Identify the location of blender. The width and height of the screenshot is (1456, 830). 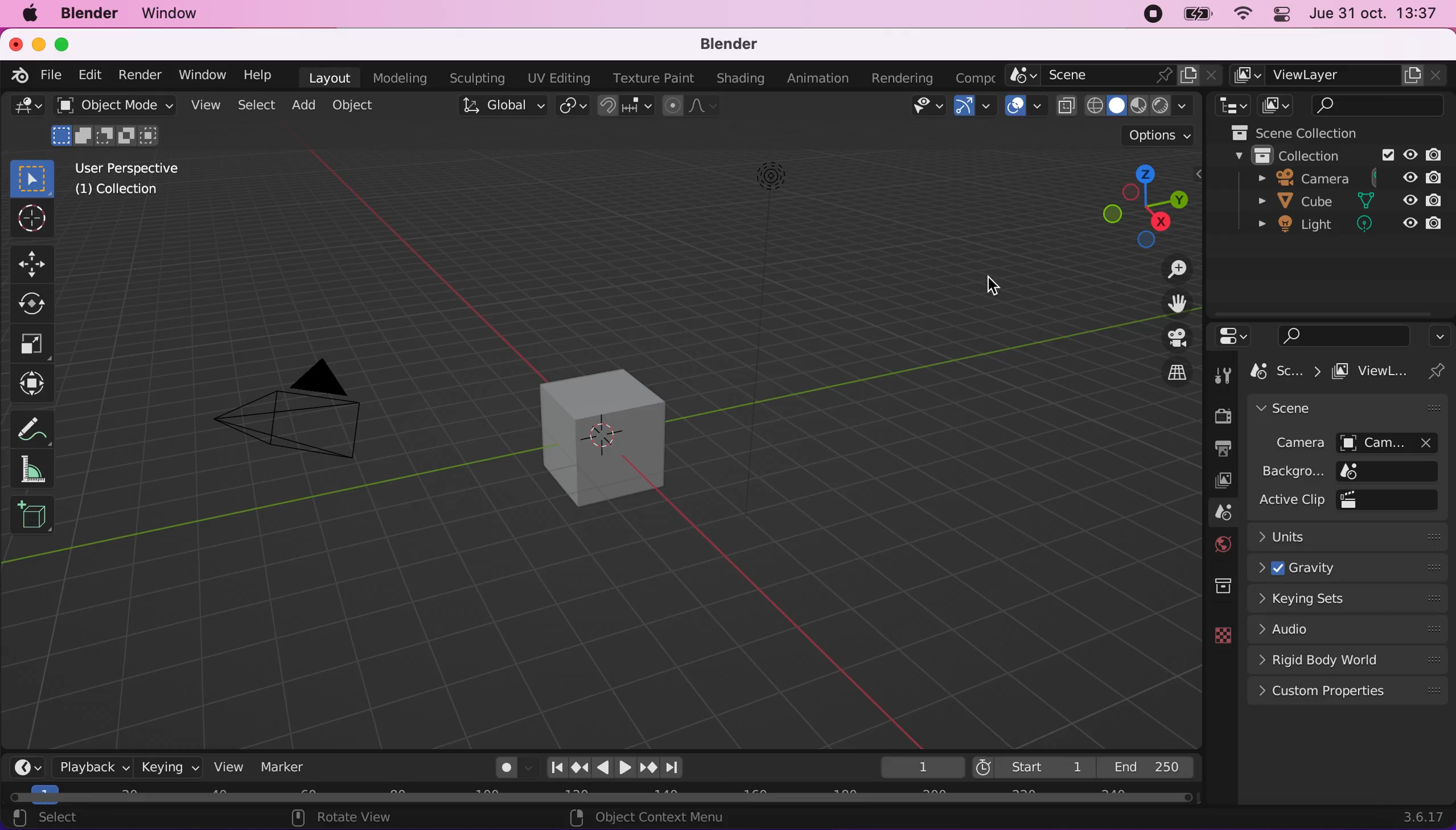
(733, 44).